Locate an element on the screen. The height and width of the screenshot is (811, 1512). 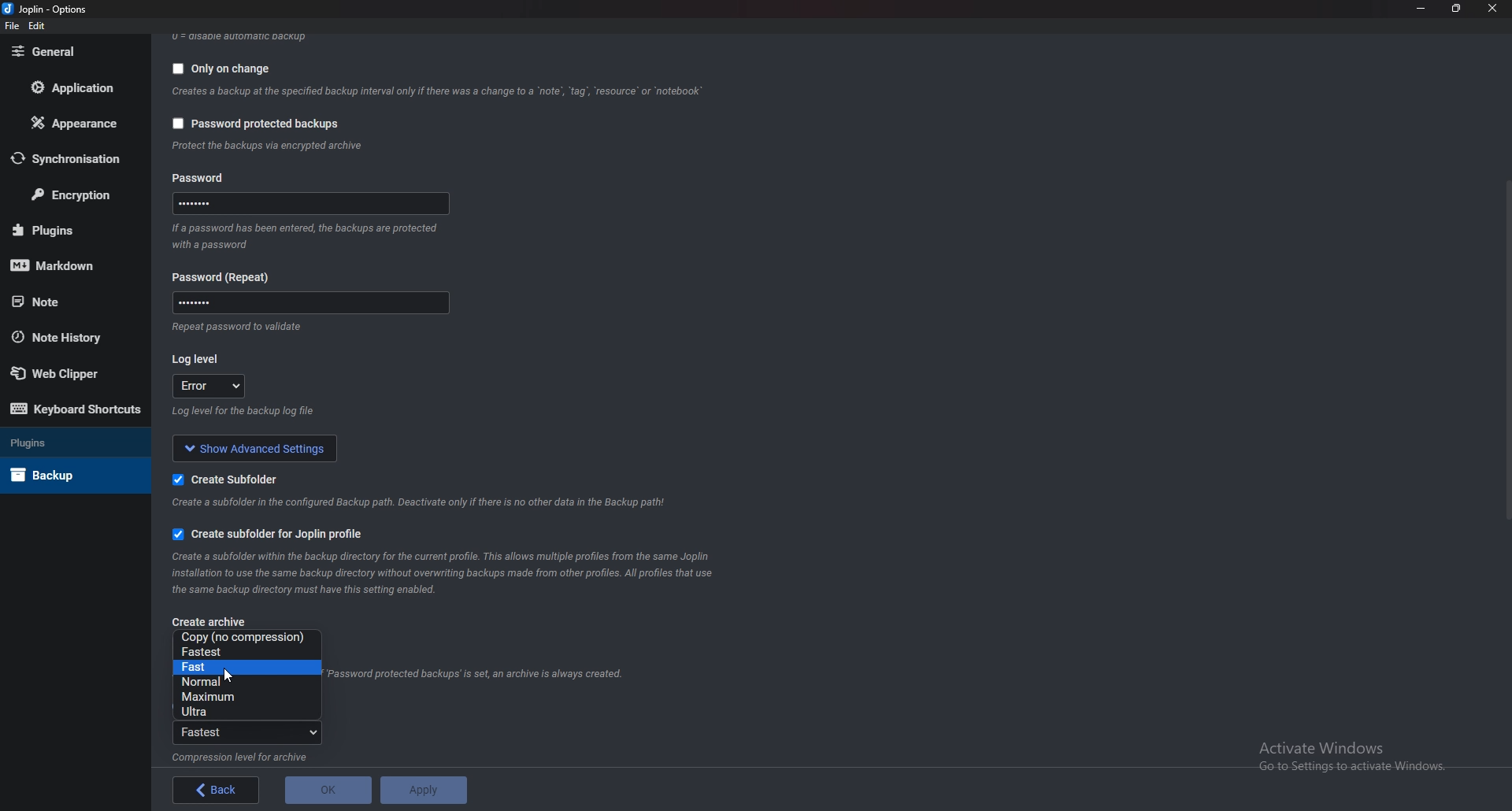
Minimize is located at coordinates (1421, 7).